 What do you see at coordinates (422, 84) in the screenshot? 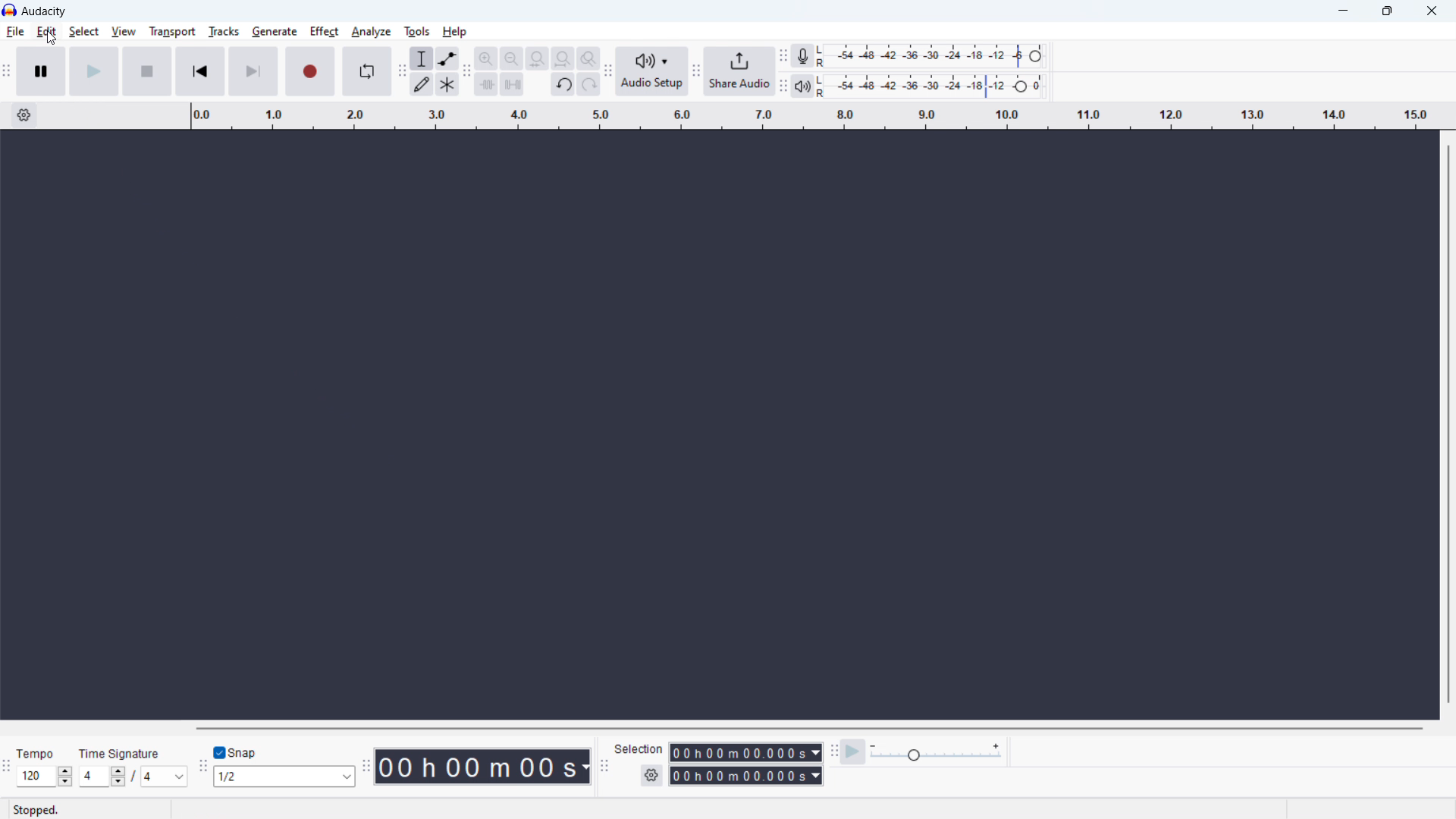
I see `draw tool` at bounding box center [422, 84].